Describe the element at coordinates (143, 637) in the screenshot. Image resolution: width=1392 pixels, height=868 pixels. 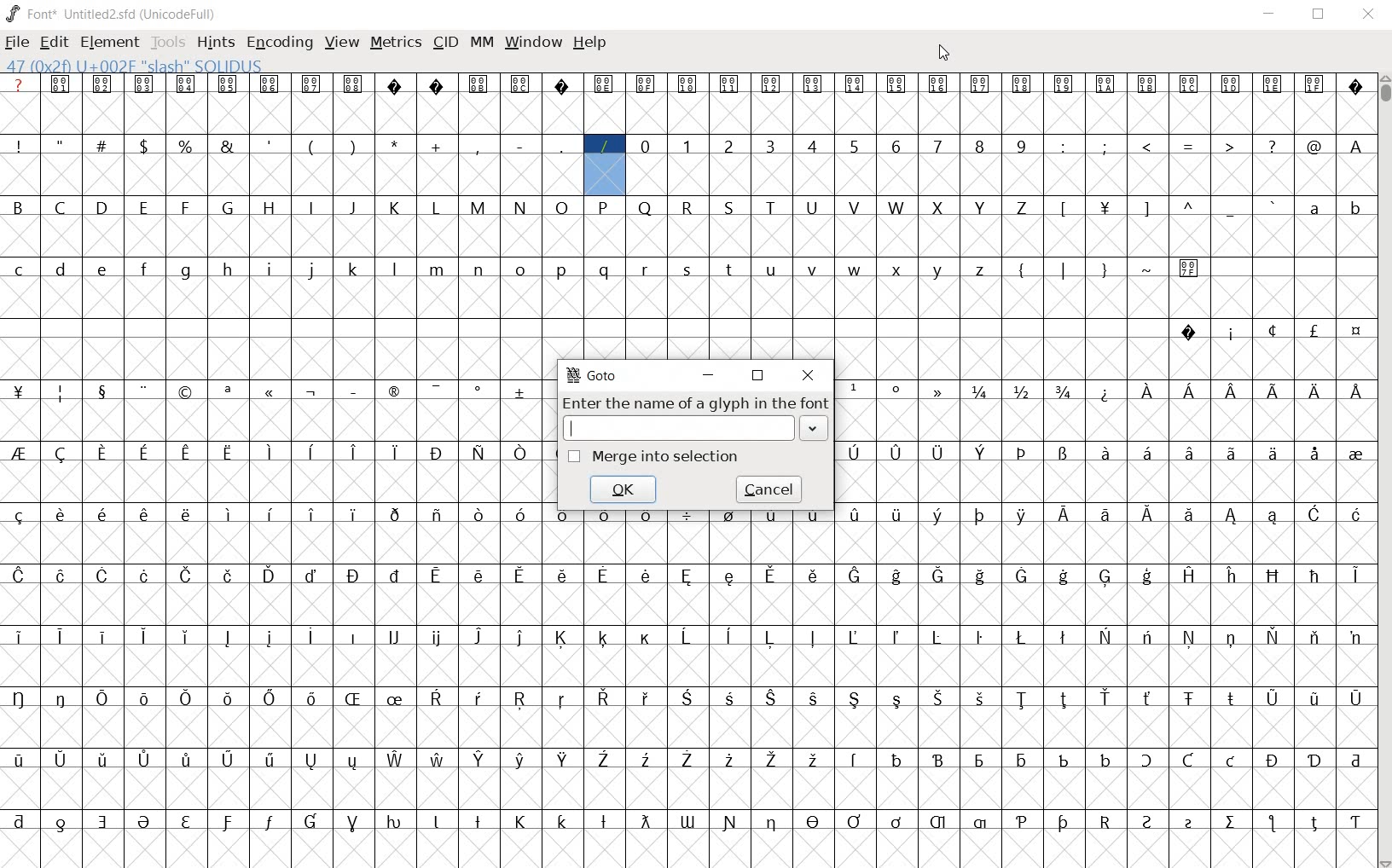
I see `glyph` at that location.